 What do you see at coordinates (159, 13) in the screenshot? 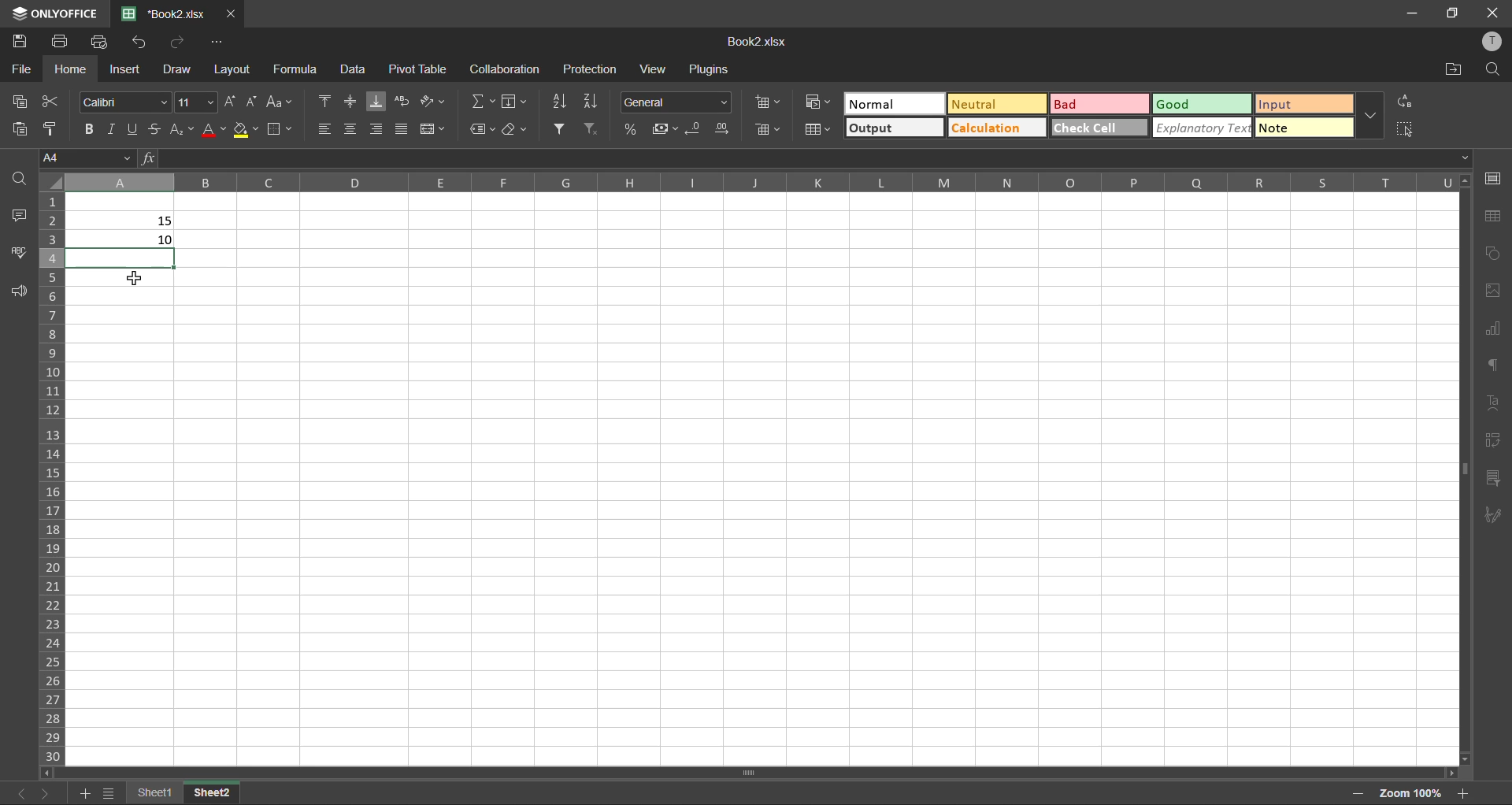
I see `book2.xlsx` at bounding box center [159, 13].